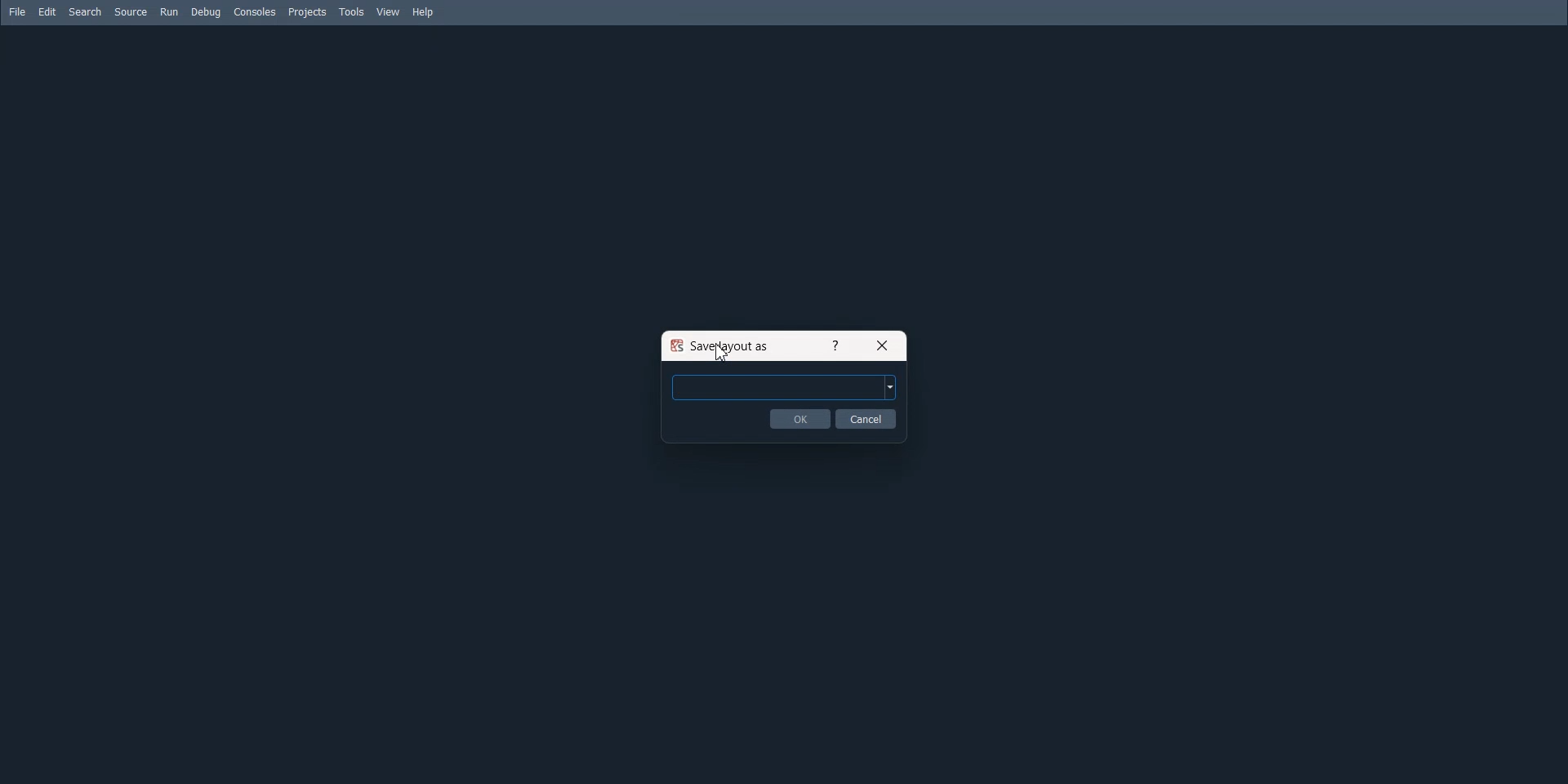 The image size is (1568, 784). Describe the element at coordinates (884, 345) in the screenshot. I see `Close` at that location.